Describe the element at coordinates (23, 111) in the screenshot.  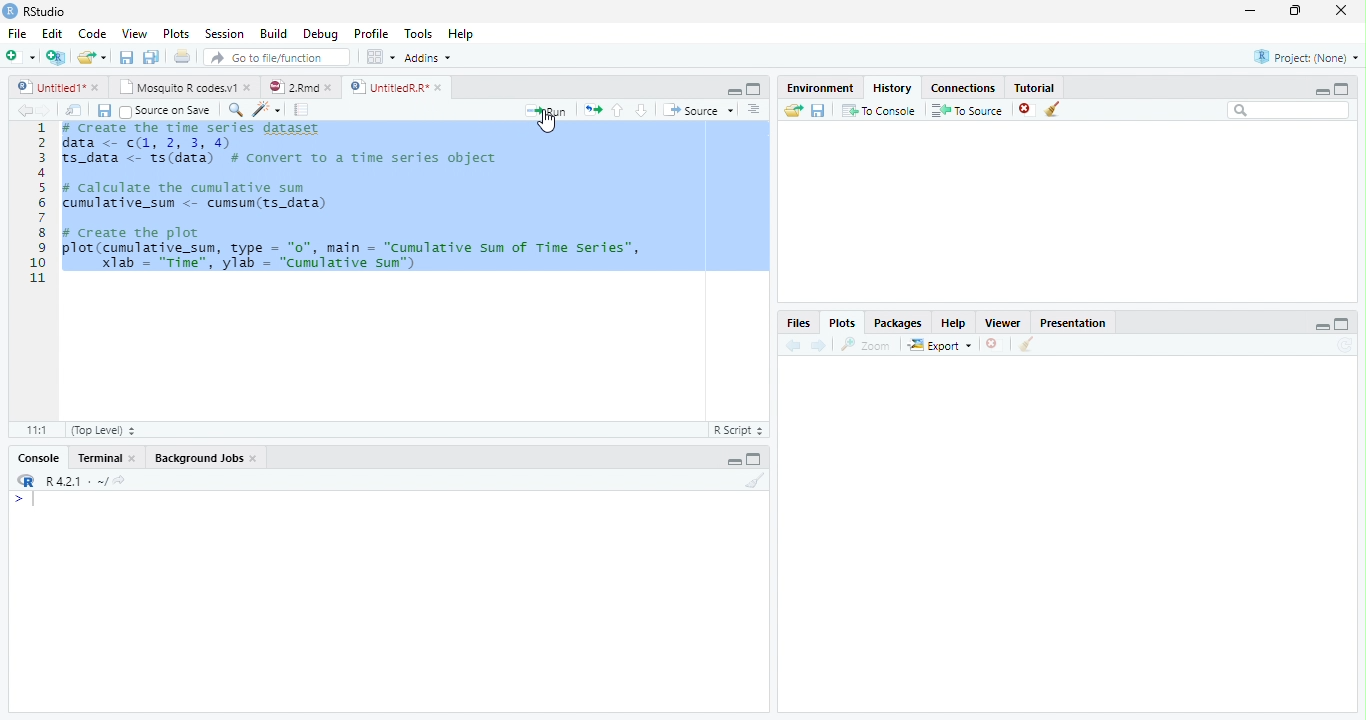
I see `Back` at that location.